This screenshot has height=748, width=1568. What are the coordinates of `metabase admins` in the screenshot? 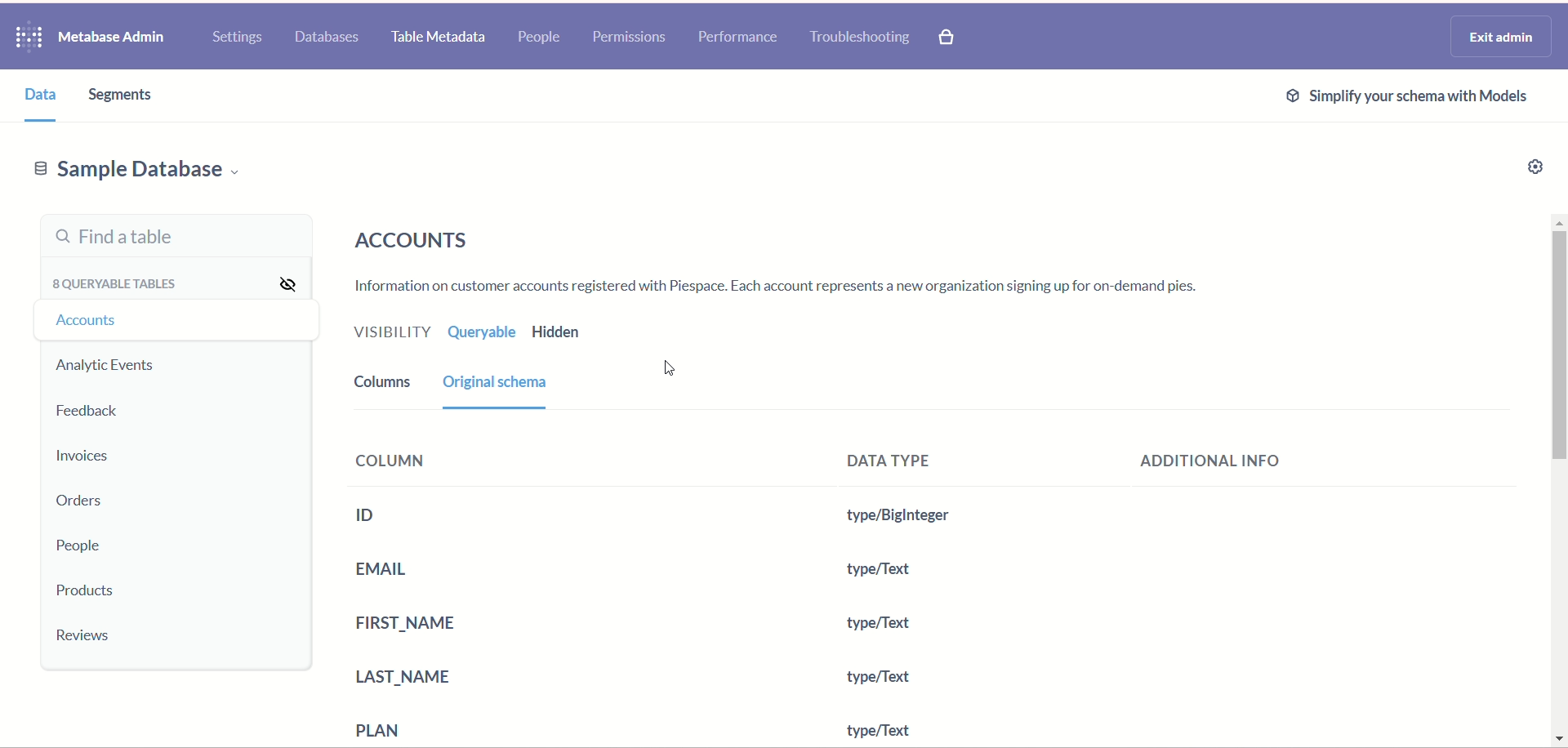 It's located at (111, 38).